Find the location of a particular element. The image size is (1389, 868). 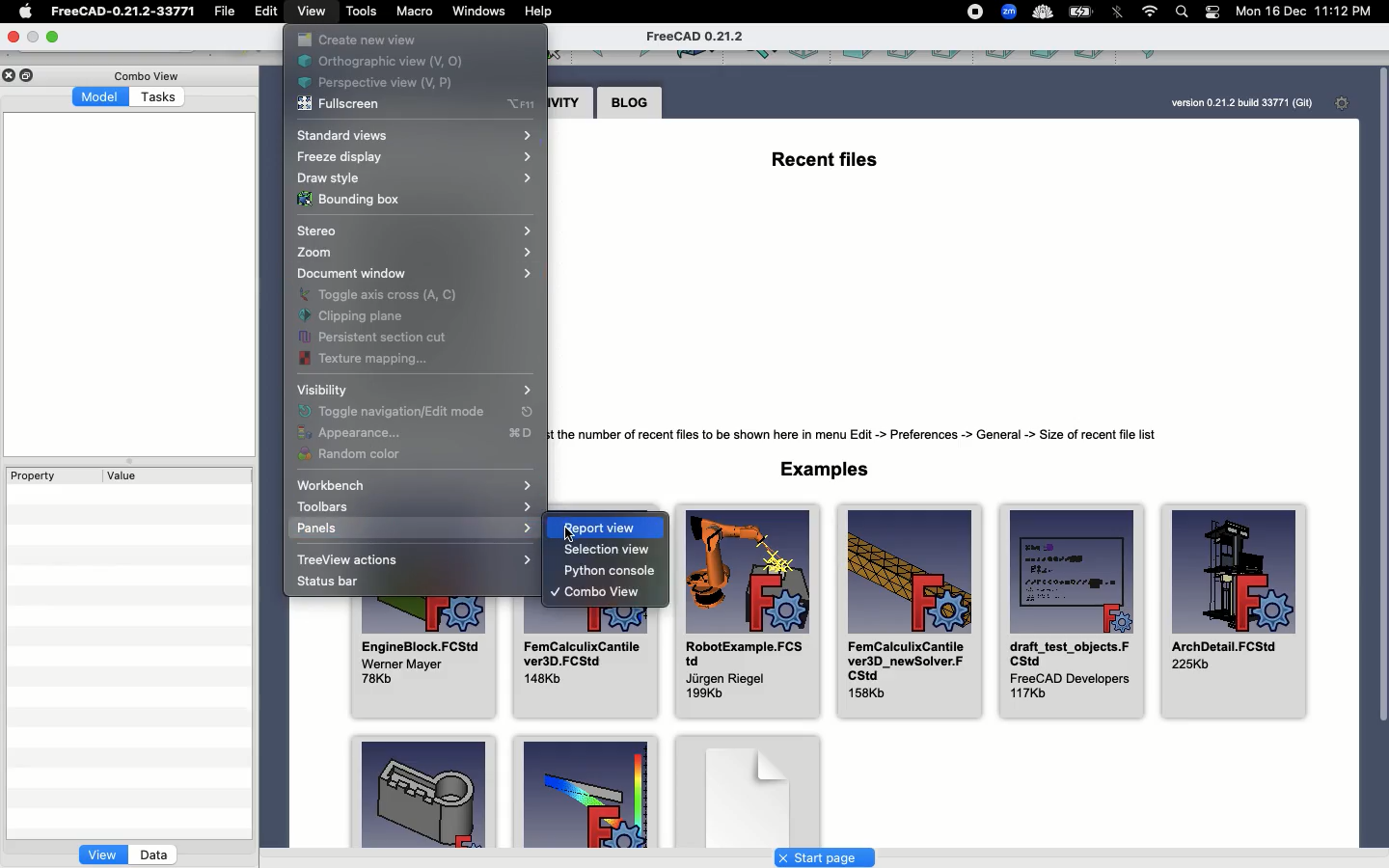

Panels is located at coordinates (413, 529).